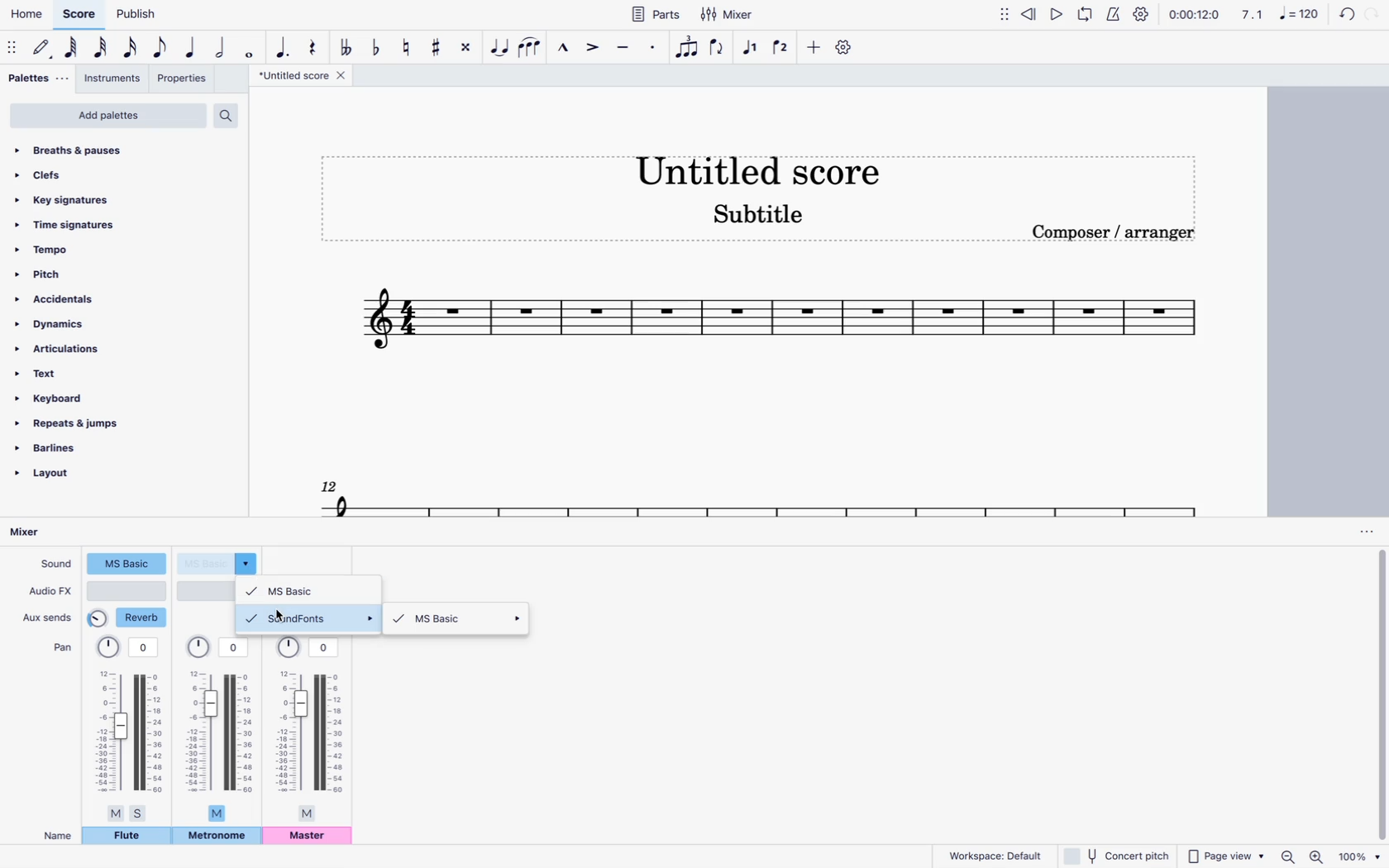 This screenshot has width=1389, height=868. Describe the element at coordinates (135, 16) in the screenshot. I see `publish` at that location.